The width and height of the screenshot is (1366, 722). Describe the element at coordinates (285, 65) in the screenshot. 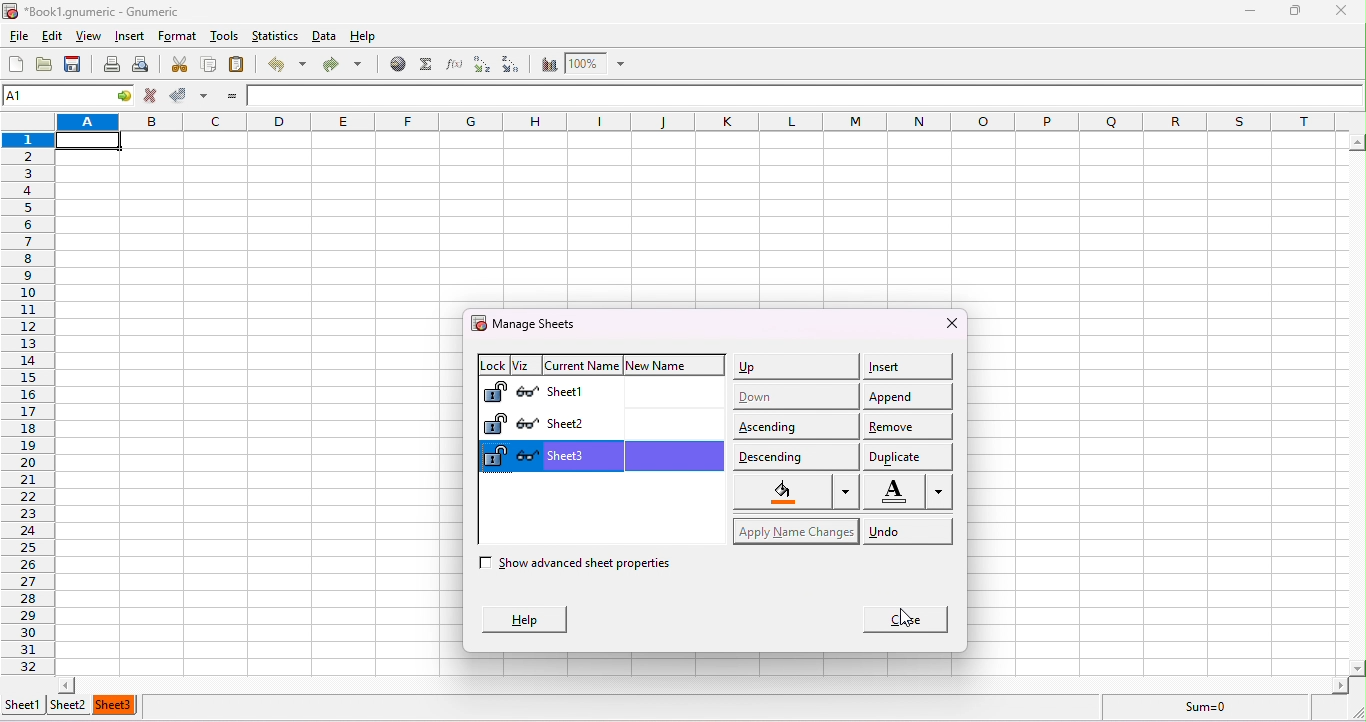

I see `undo` at that location.